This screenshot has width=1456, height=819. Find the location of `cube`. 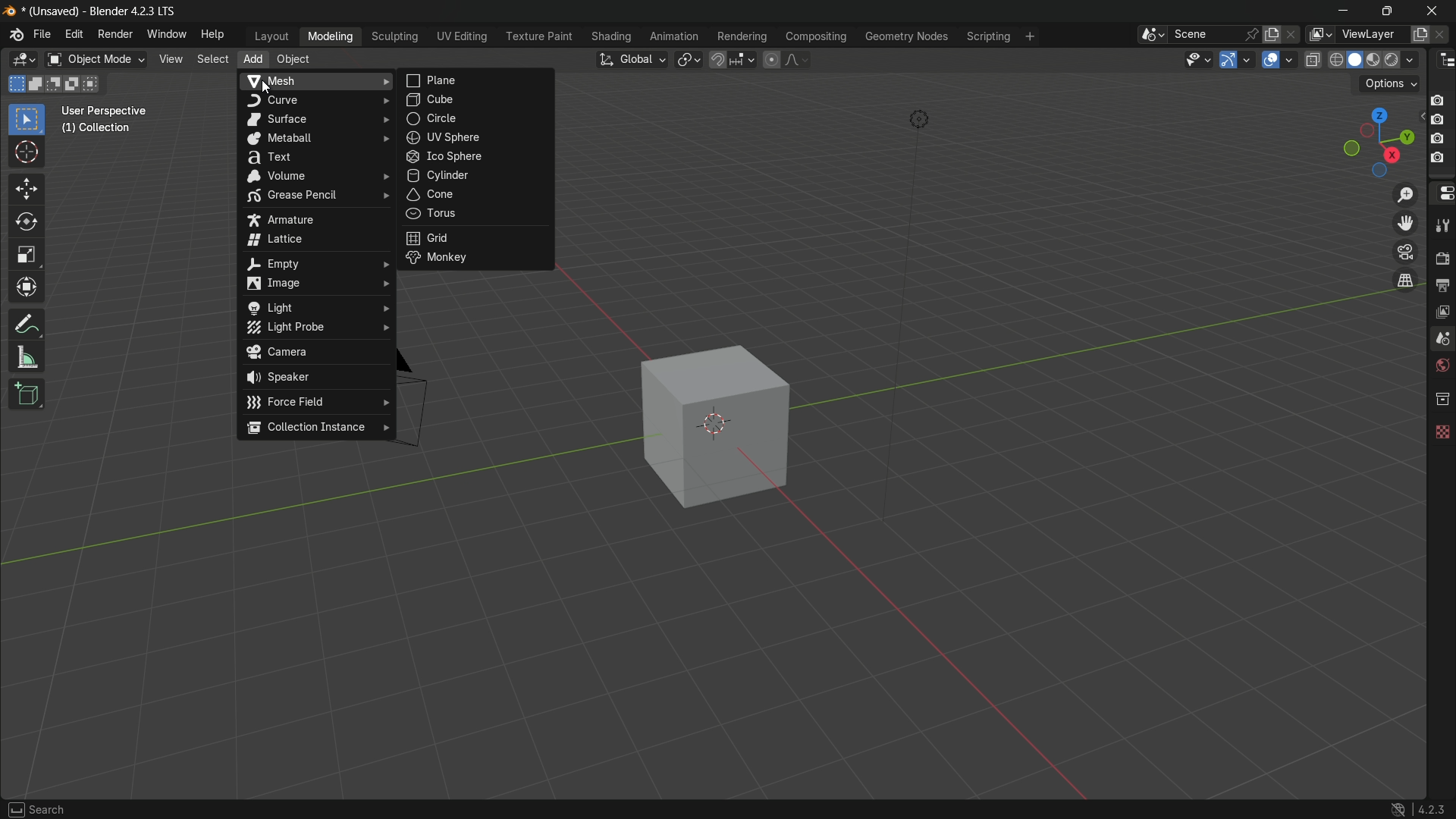

cube is located at coordinates (477, 101).